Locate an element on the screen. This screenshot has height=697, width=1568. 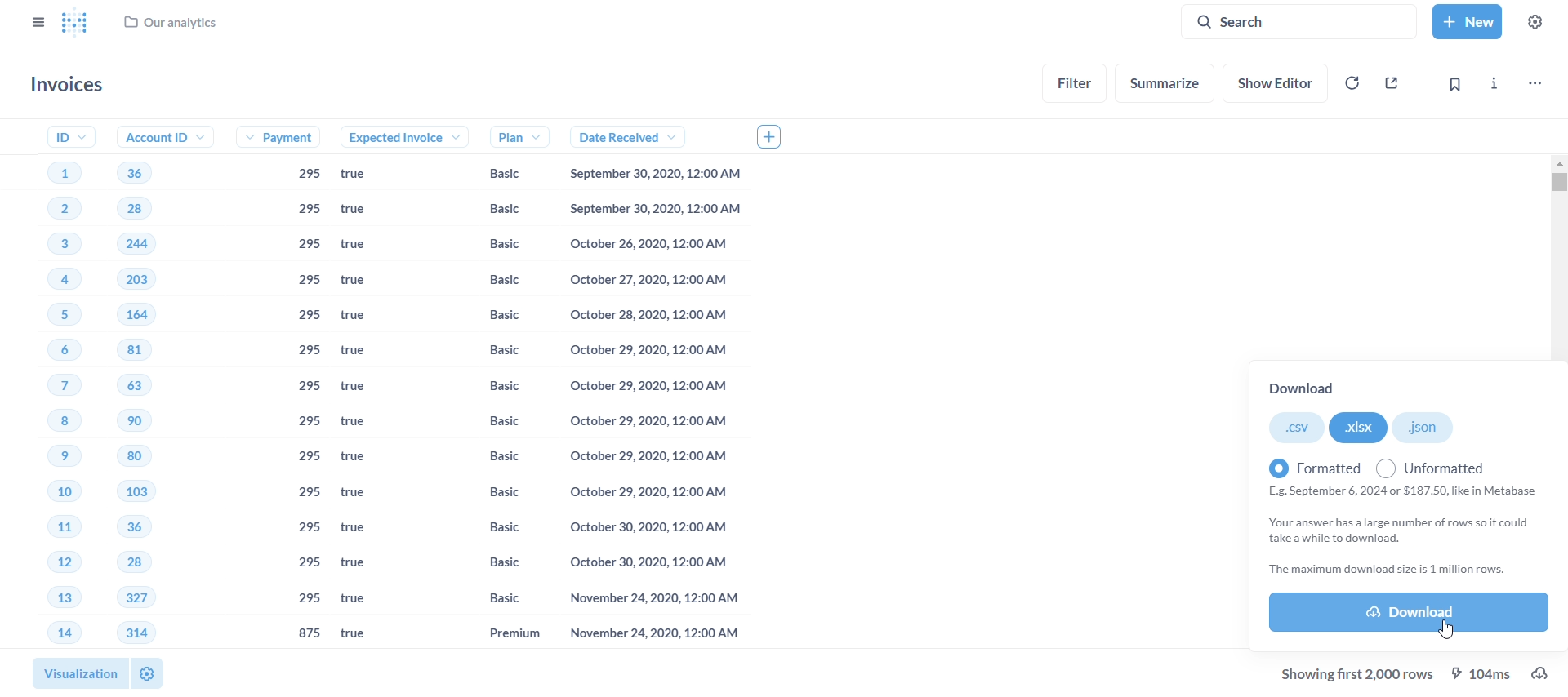
Basic is located at coordinates (492, 282).